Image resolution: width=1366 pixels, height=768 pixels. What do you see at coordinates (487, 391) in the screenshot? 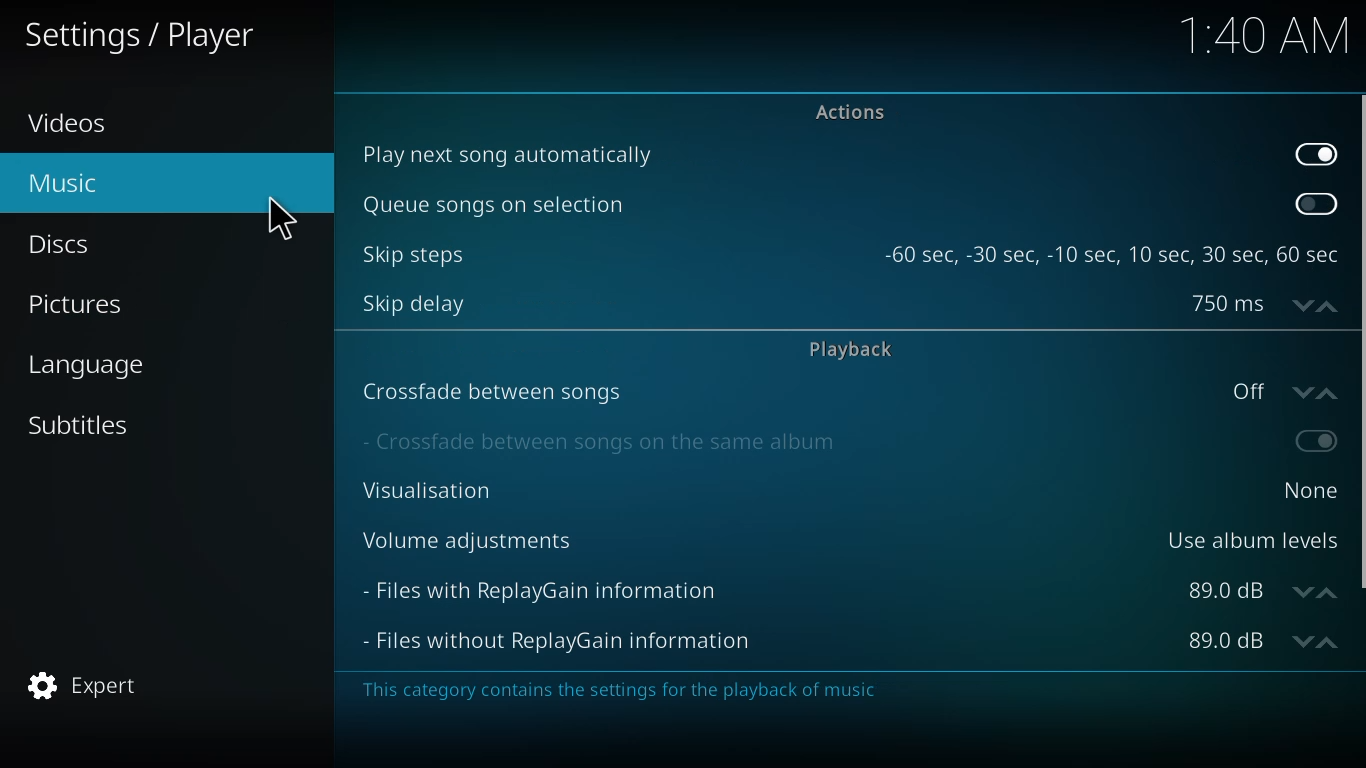
I see `crossfade between songs` at bounding box center [487, 391].